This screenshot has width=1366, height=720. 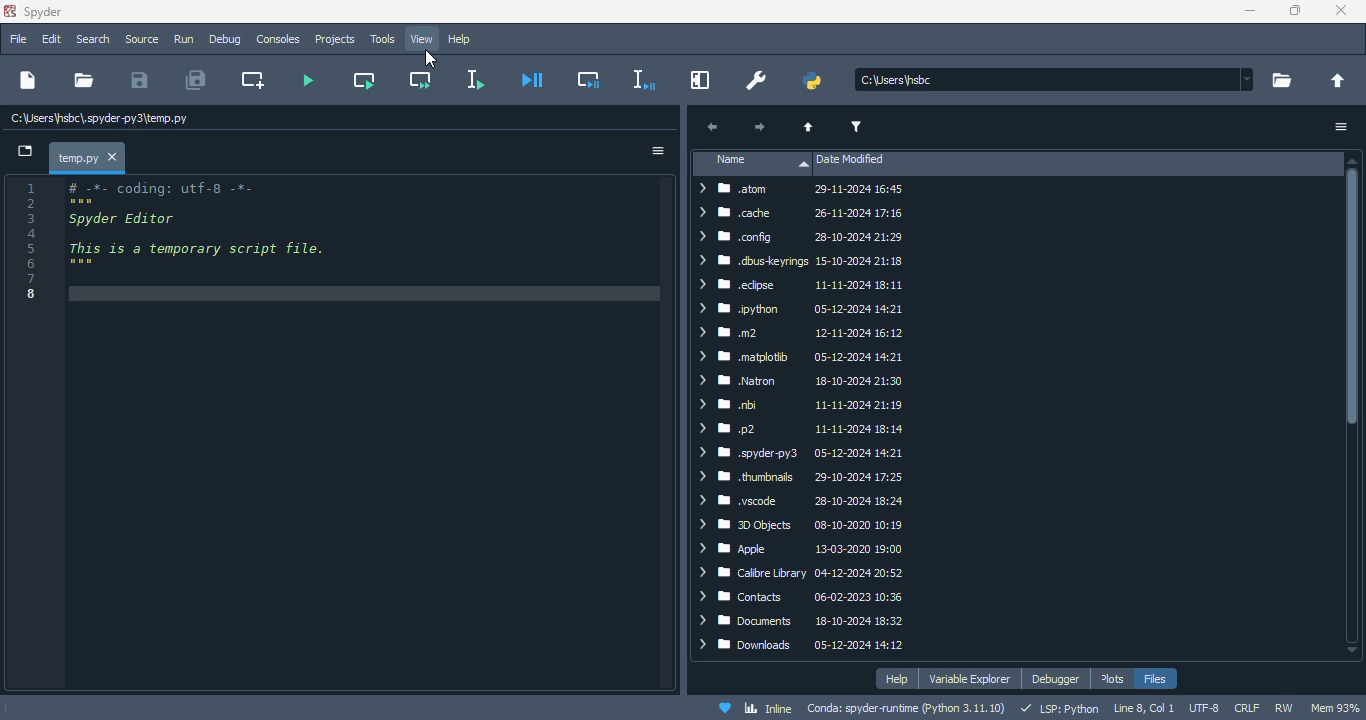 I want to click on .nbi, so click(x=801, y=405).